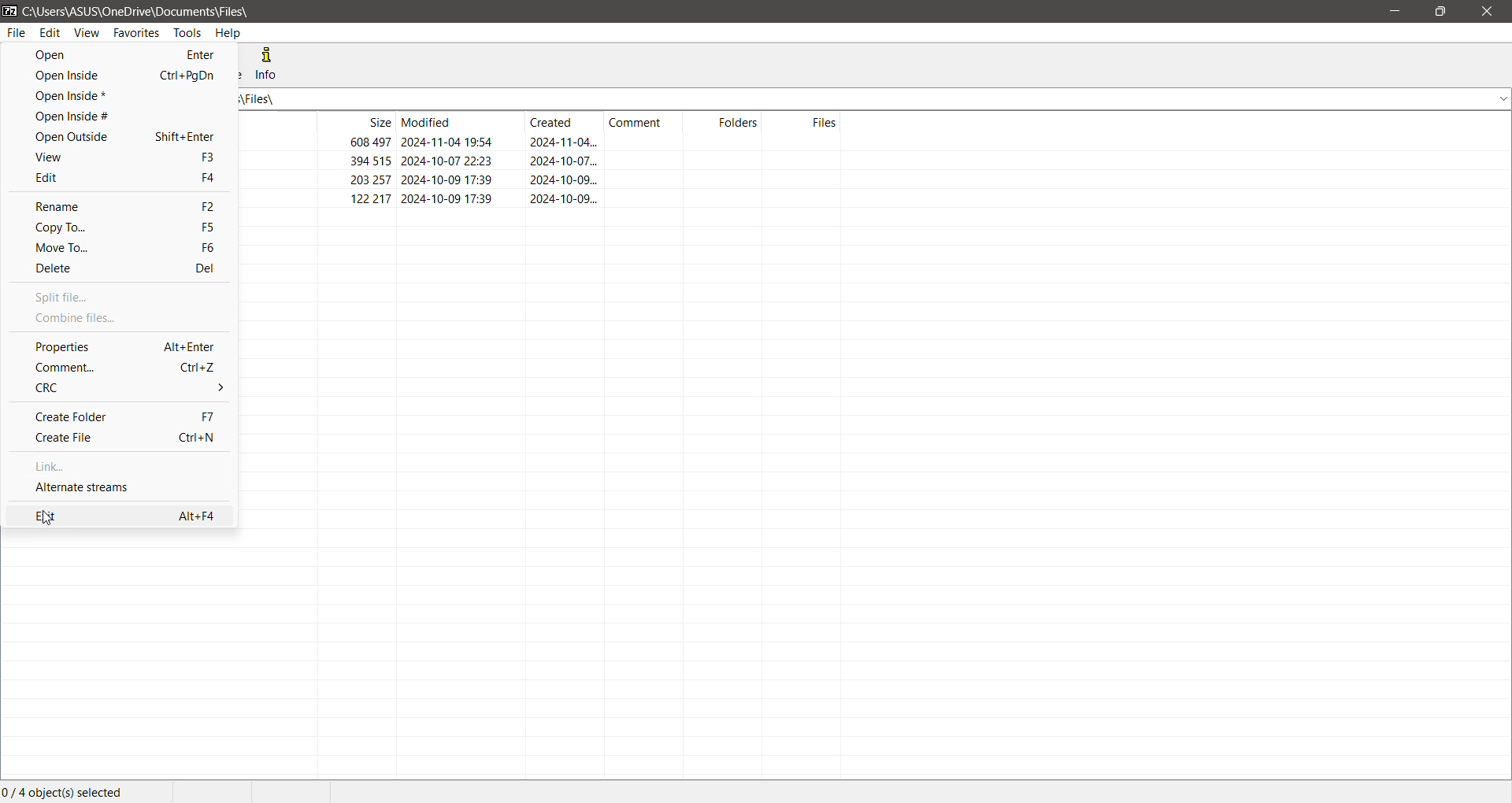 Image resolution: width=1512 pixels, height=803 pixels. I want to click on Close, so click(1490, 11).